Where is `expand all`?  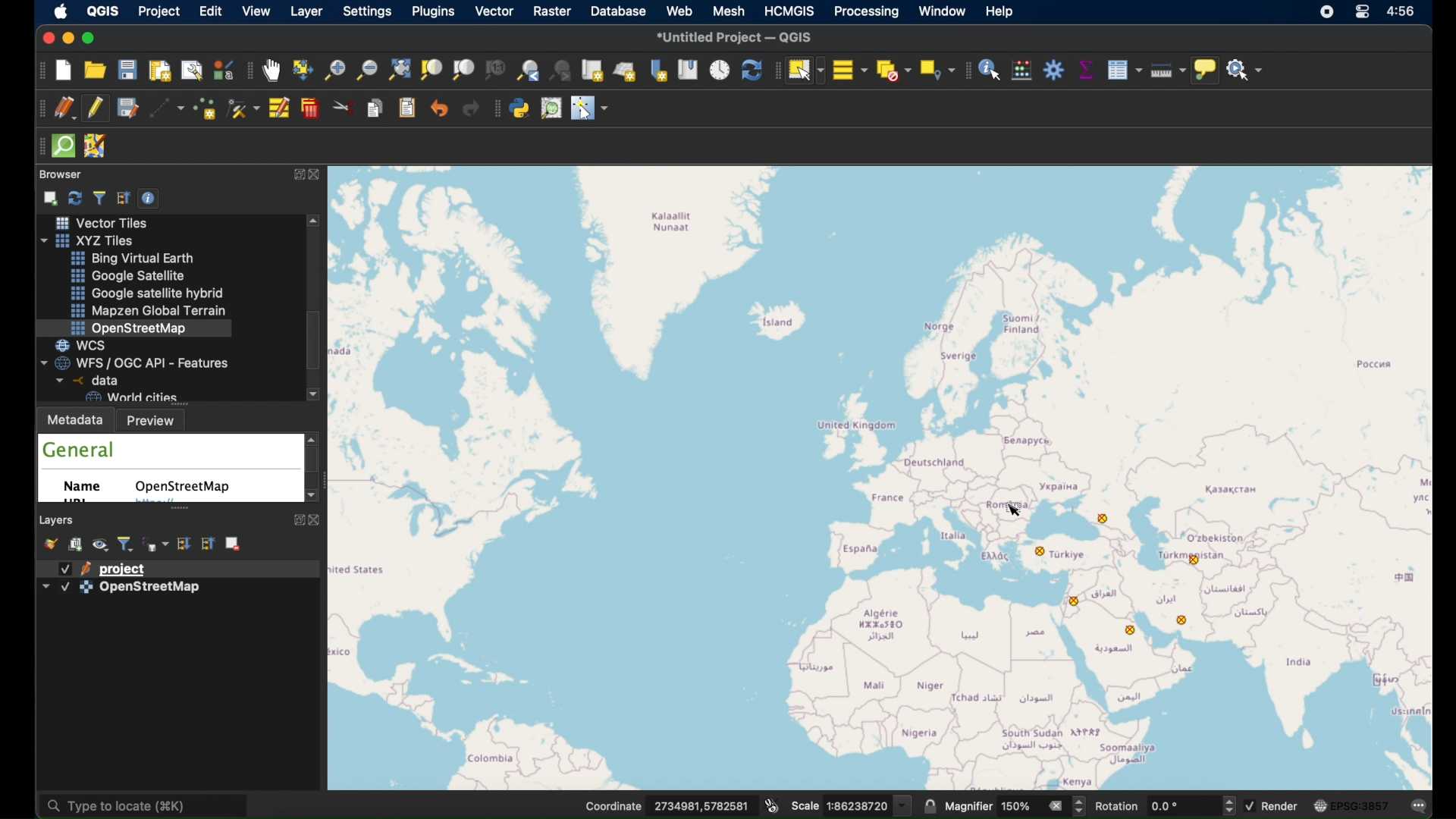 expand all is located at coordinates (184, 543).